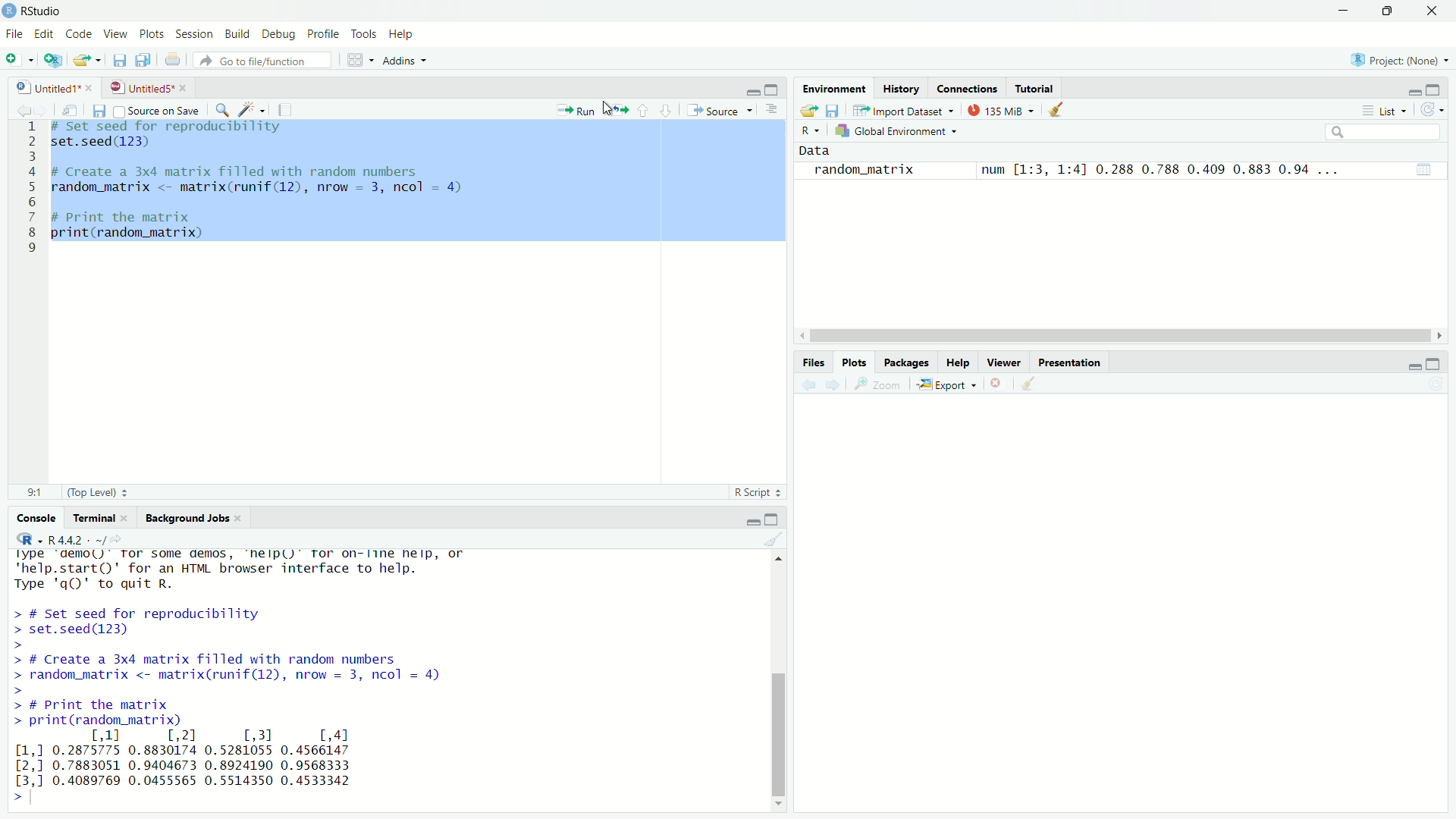 This screenshot has width=1456, height=819. I want to click on 91 (Top Level) =, so click(79, 491).